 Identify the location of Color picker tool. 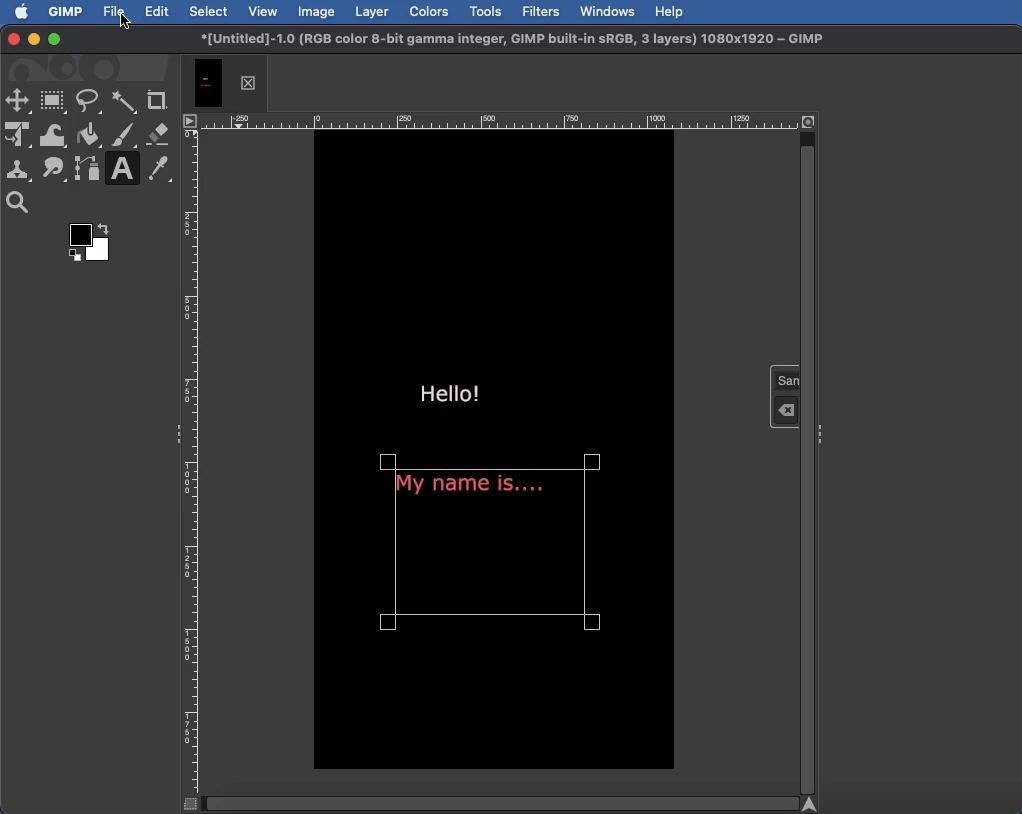
(161, 172).